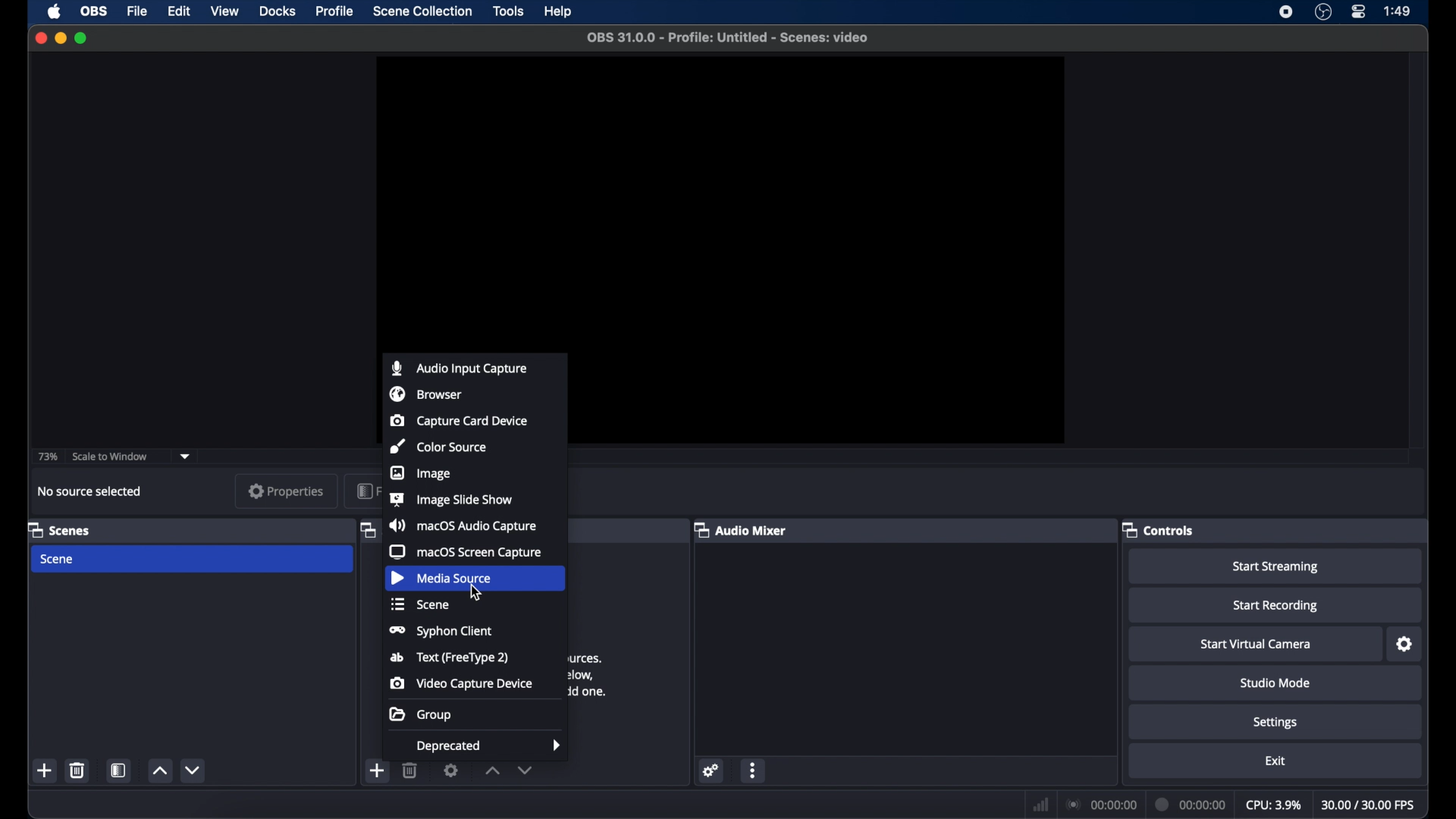  Describe the element at coordinates (1041, 803) in the screenshot. I see `network` at that location.